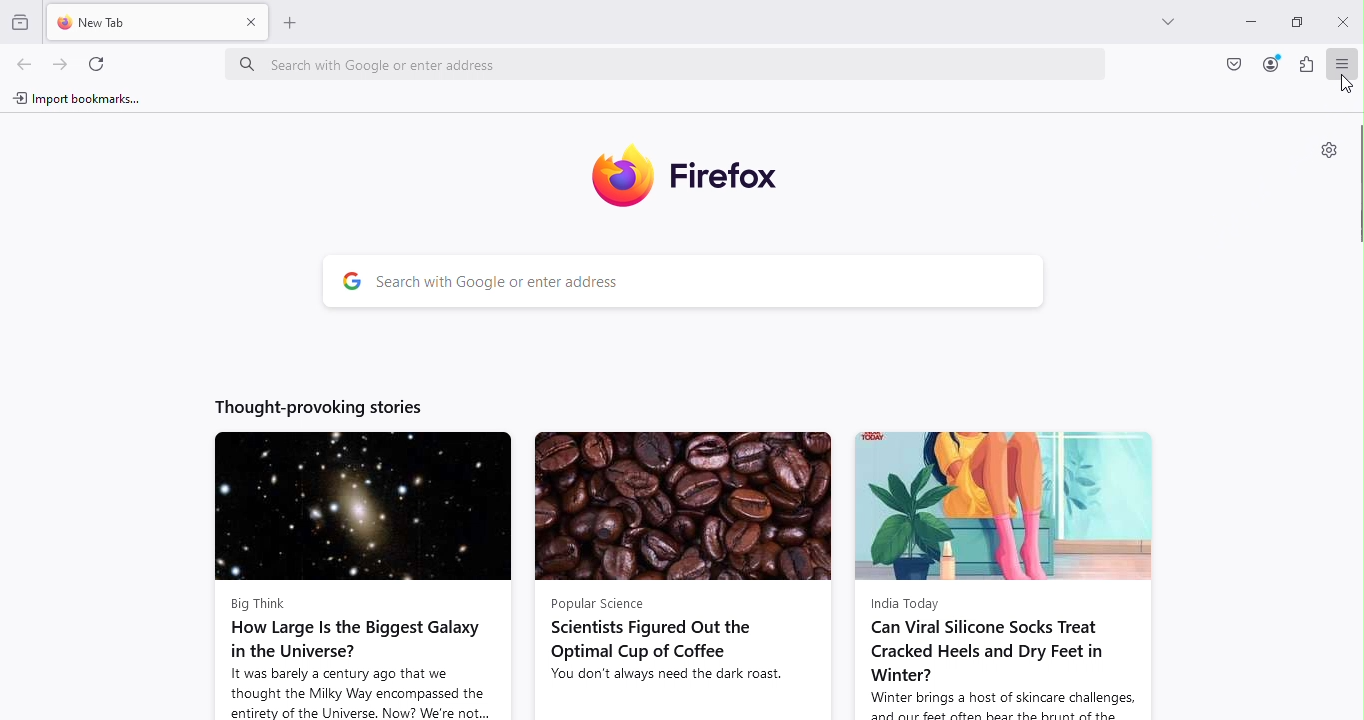 This screenshot has width=1364, height=720. What do you see at coordinates (58, 63) in the screenshot?
I see `Go forward one page` at bounding box center [58, 63].